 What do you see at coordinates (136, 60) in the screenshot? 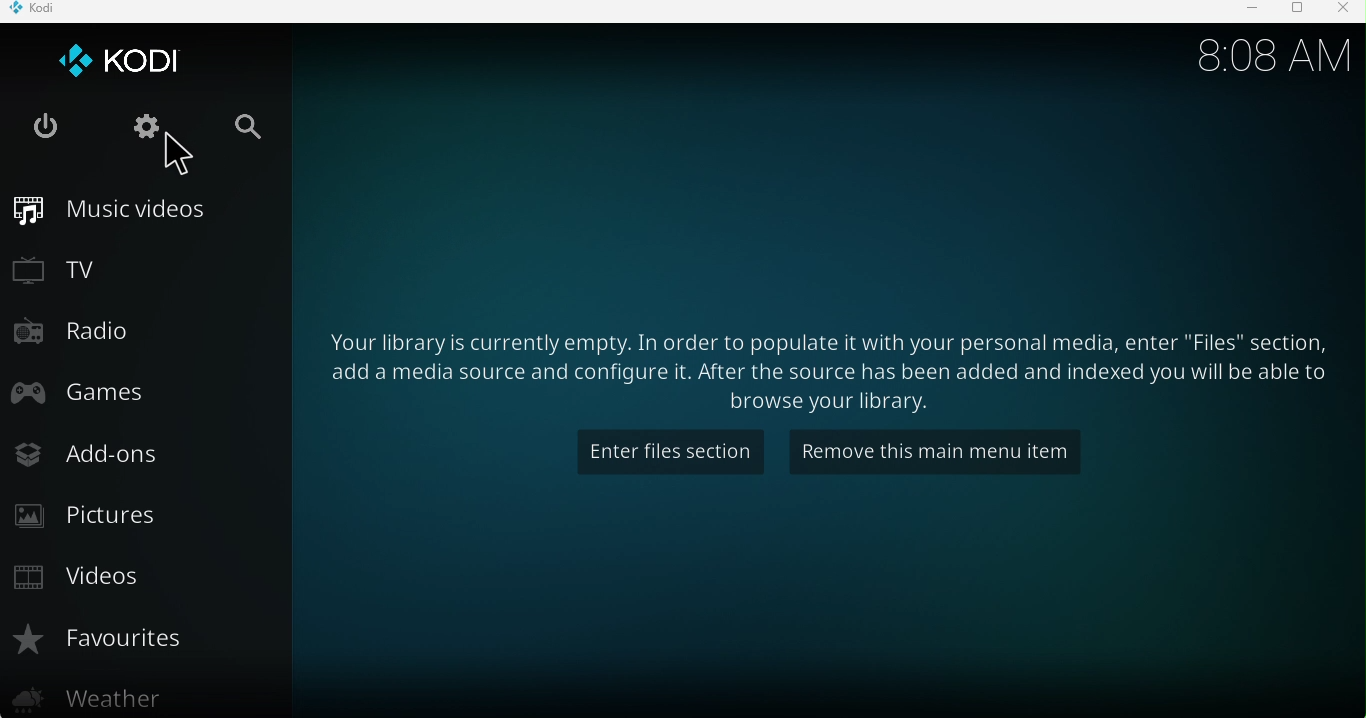
I see `KODI logo` at bounding box center [136, 60].